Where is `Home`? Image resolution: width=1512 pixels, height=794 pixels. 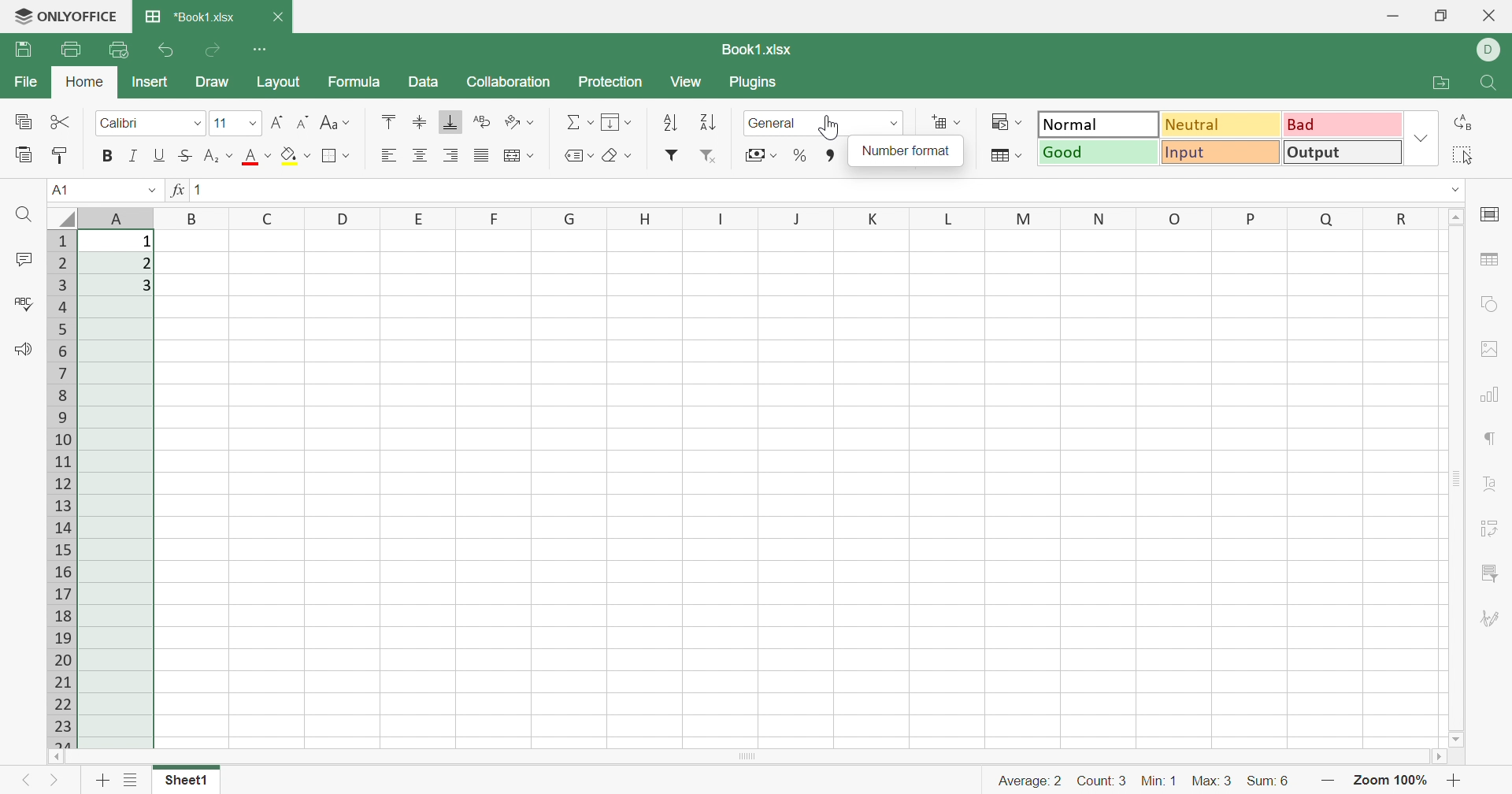
Home is located at coordinates (87, 82).